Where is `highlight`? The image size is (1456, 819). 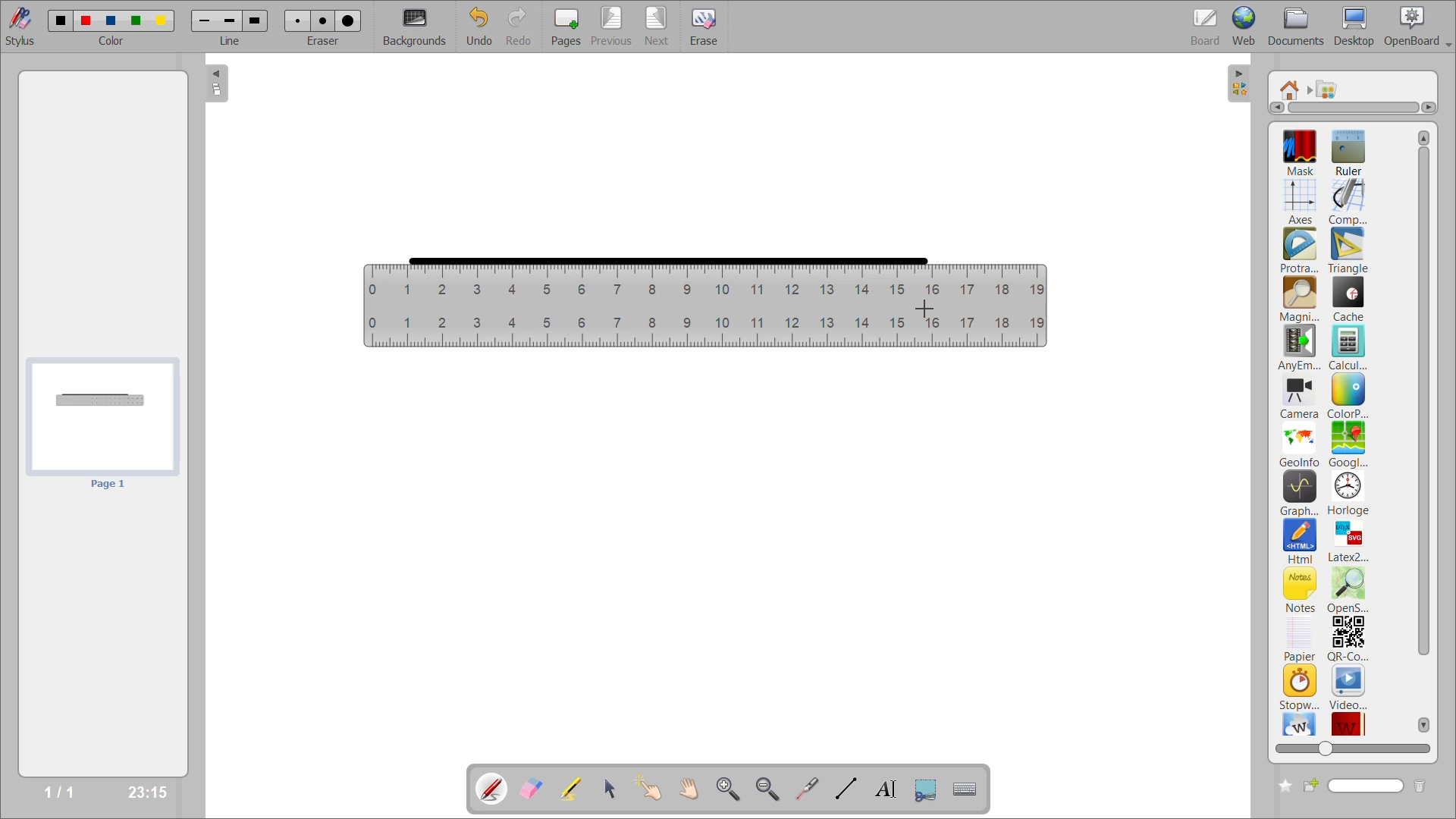
highlight is located at coordinates (576, 790).